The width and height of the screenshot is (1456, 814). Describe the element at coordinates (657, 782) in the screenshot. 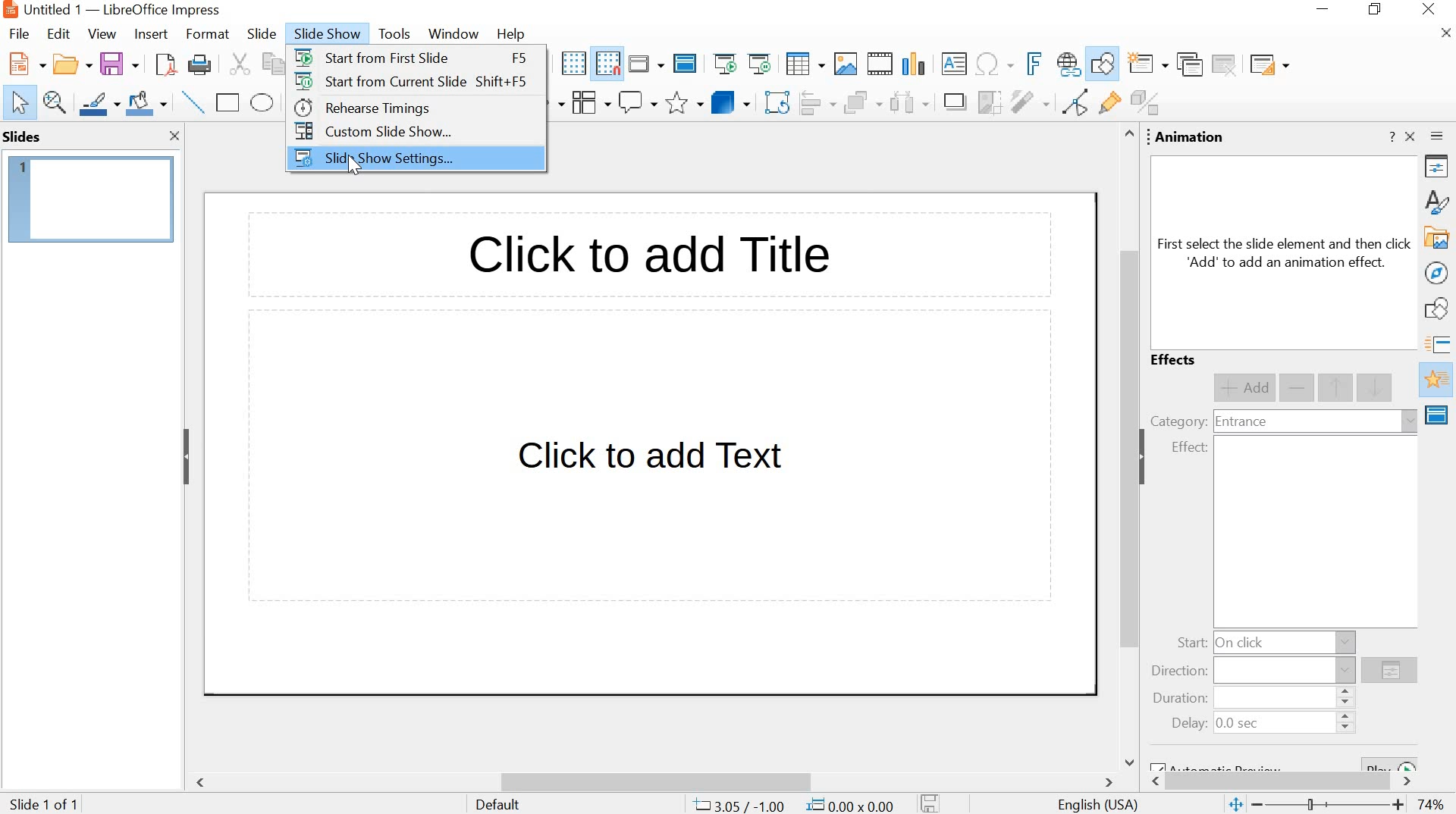

I see `scroll bar` at that location.